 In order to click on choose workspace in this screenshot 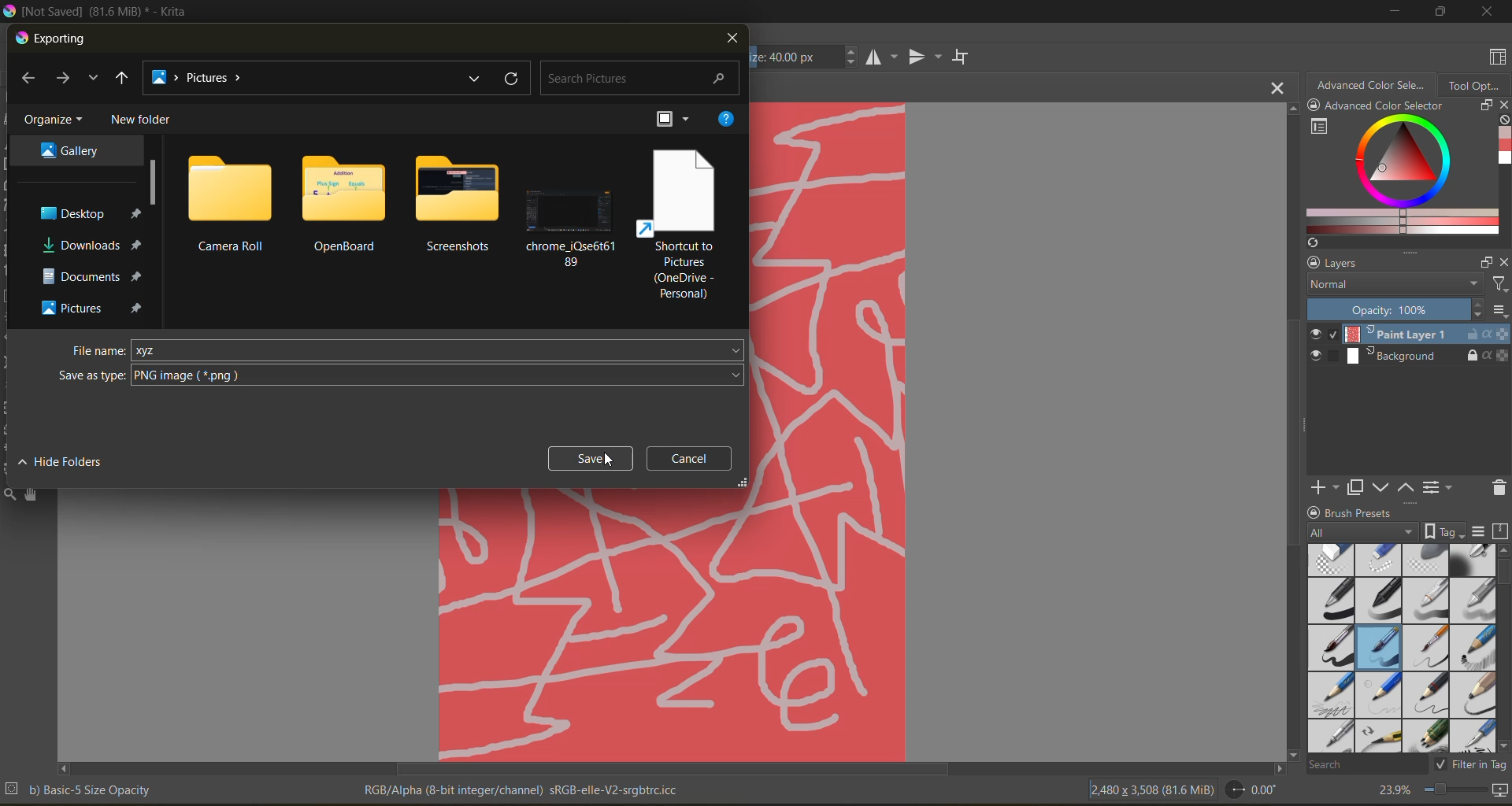, I will do `click(1494, 59)`.